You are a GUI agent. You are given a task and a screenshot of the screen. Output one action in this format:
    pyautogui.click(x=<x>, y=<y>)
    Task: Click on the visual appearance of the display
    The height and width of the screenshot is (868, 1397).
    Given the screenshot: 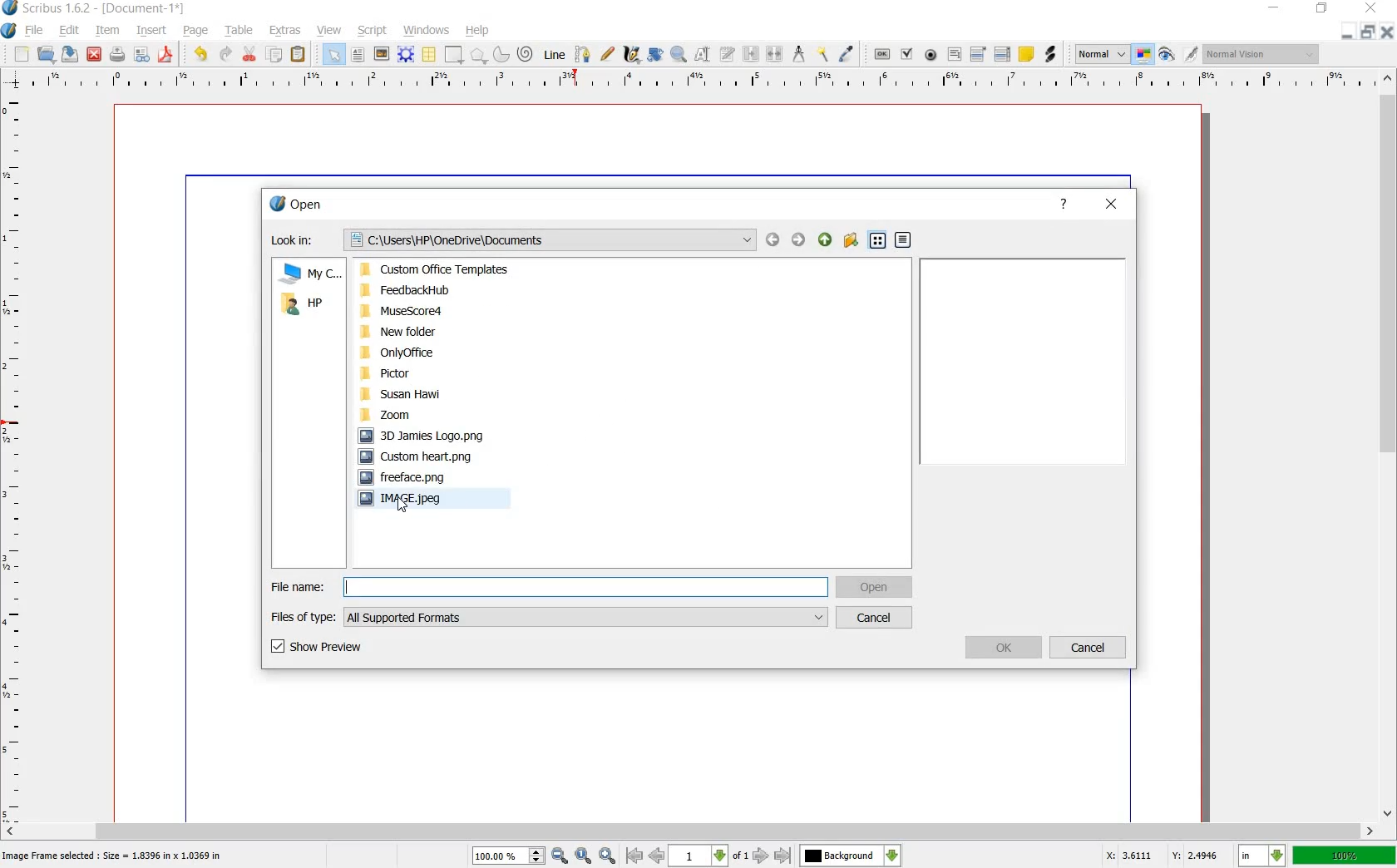 What is the action you would take?
    pyautogui.click(x=1260, y=55)
    